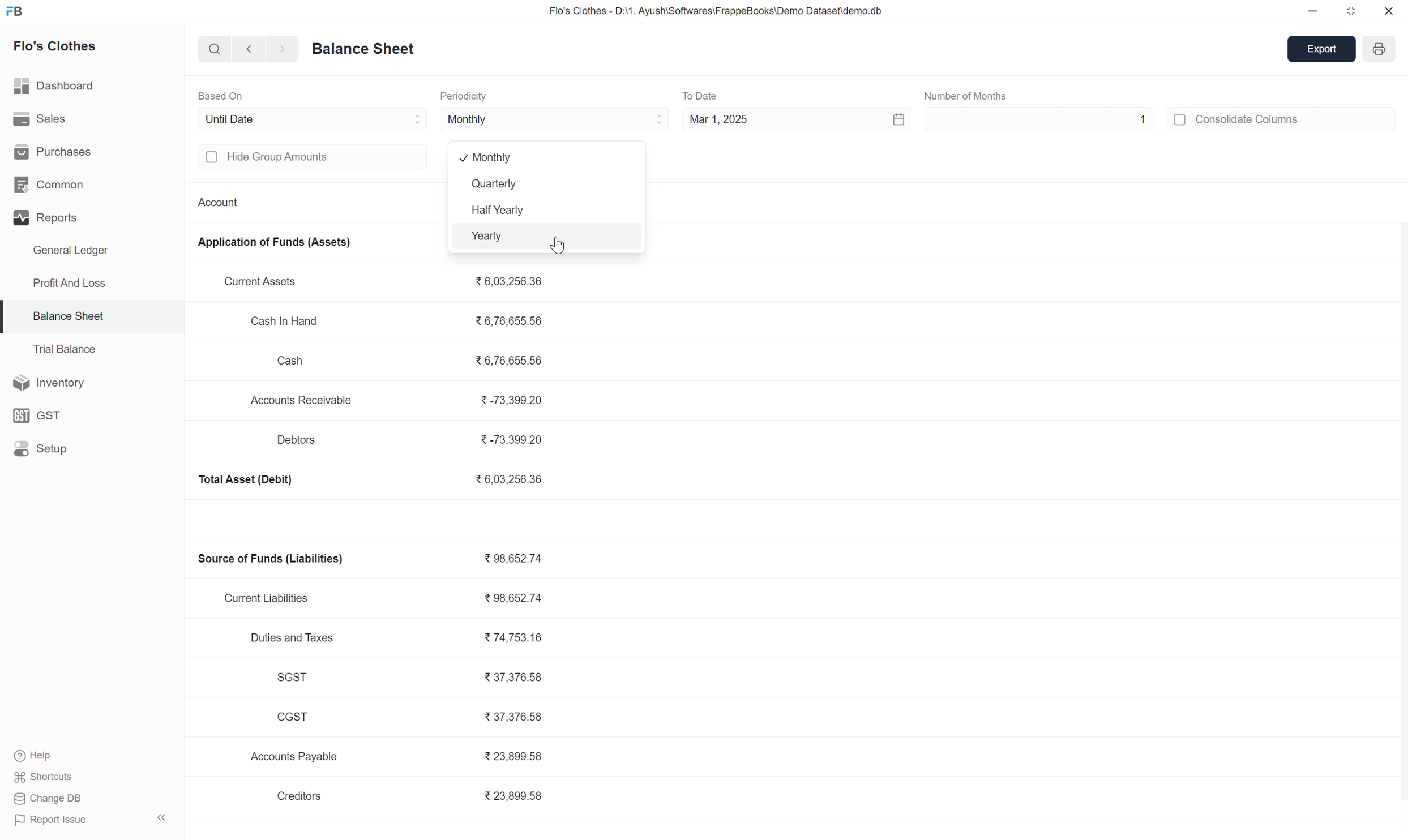 This screenshot has width=1408, height=840. Describe the element at coordinates (524, 637) in the screenshot. I see `74,753.16` at that location.